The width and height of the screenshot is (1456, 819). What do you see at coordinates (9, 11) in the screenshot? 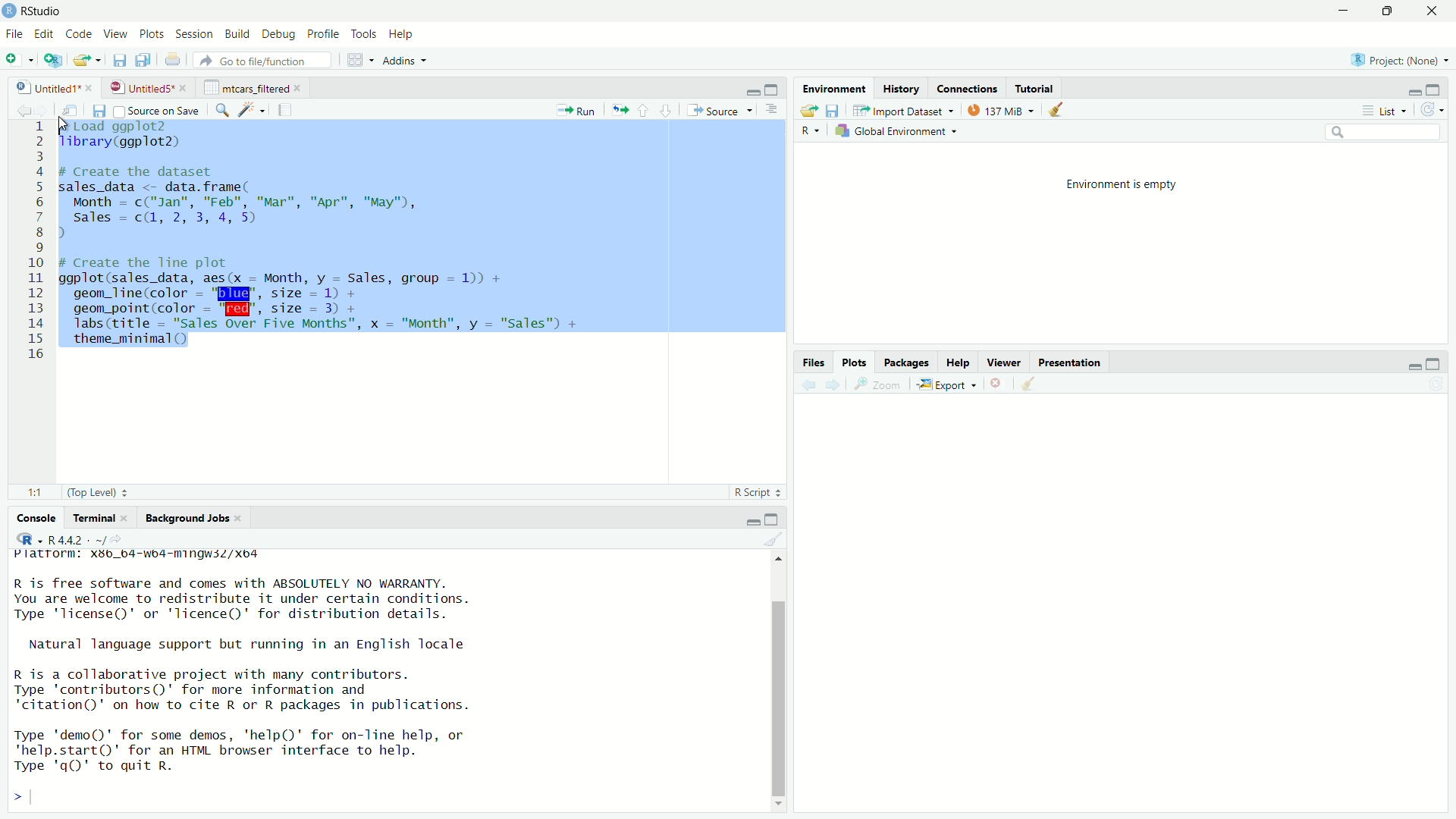
I see `app icon` at bounding box center [9, 11].